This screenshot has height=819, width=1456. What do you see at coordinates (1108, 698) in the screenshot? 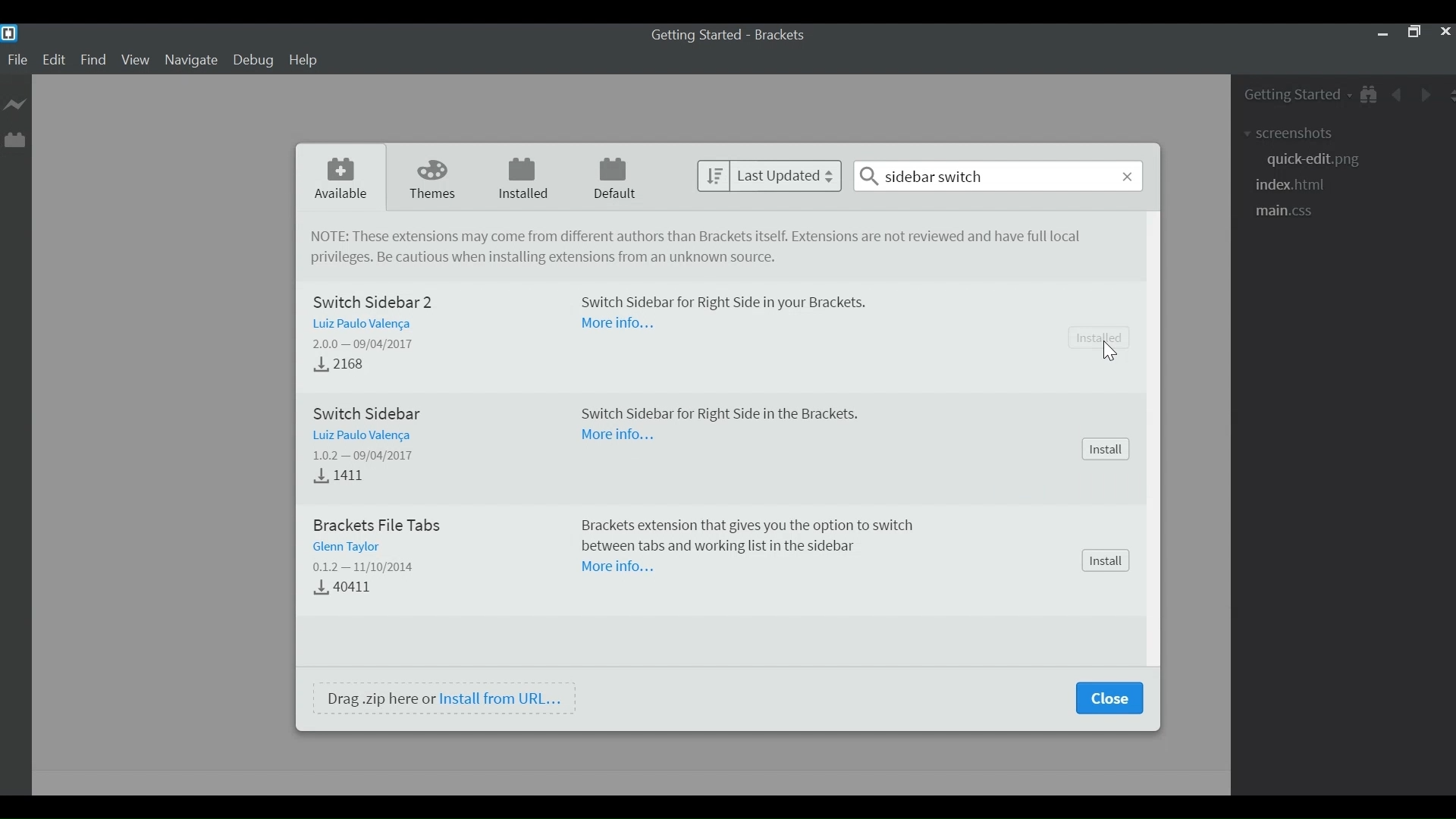
I see `Close` at bounding box center [1108, 698].